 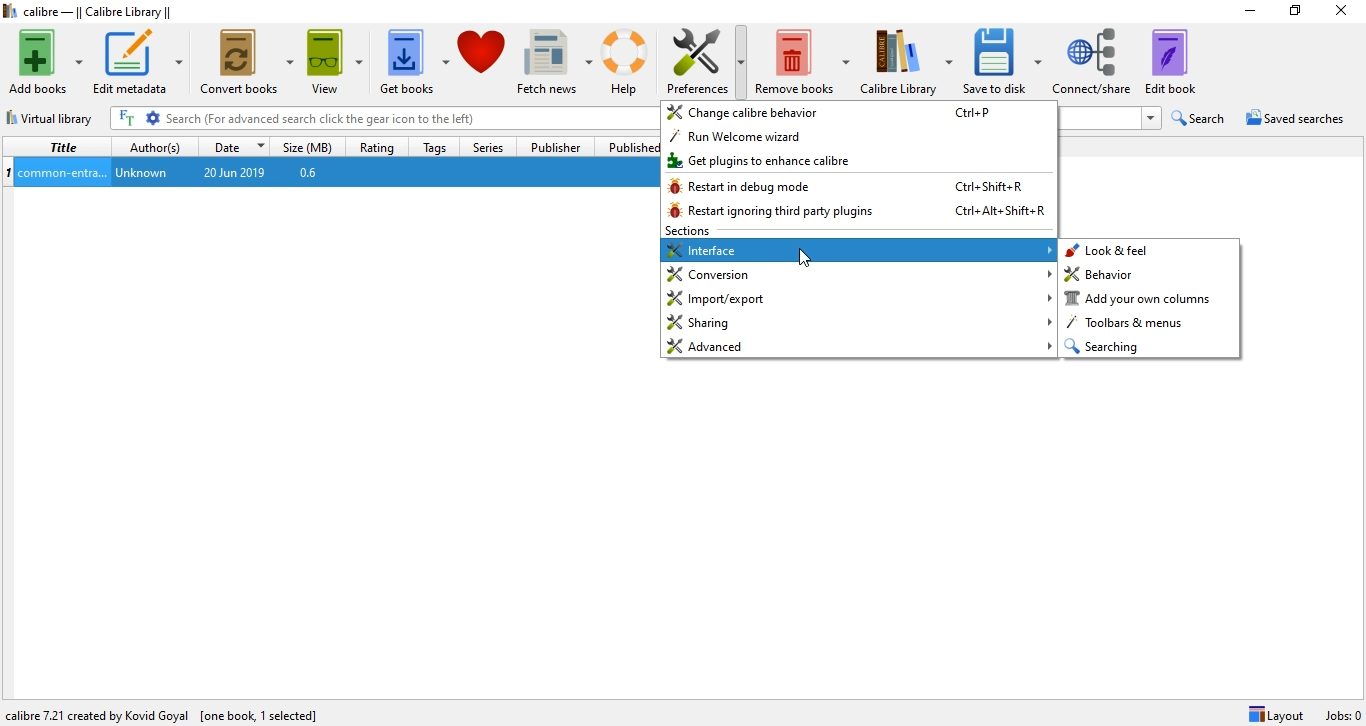 I want to click on look & feel, so click(x=1152, y=252).